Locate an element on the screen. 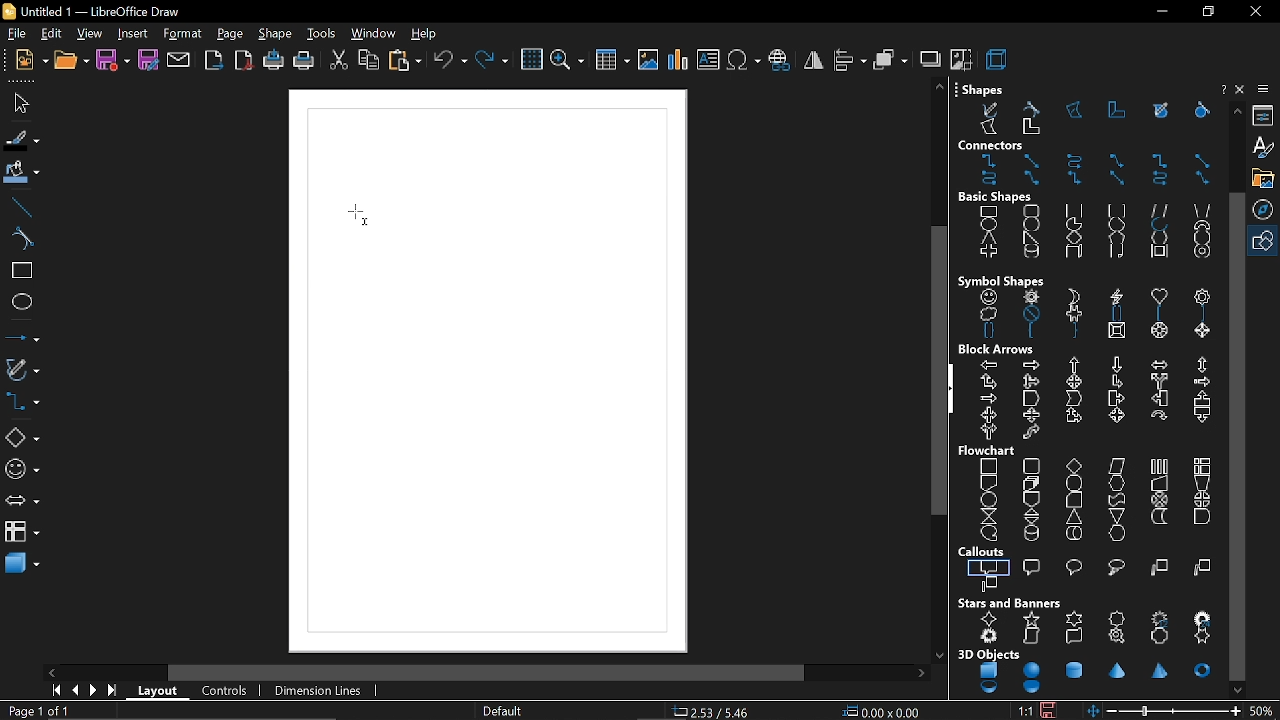 The width and height of the screenshot is (1280, 720). circle pie is located at coordinates (1074, 224).